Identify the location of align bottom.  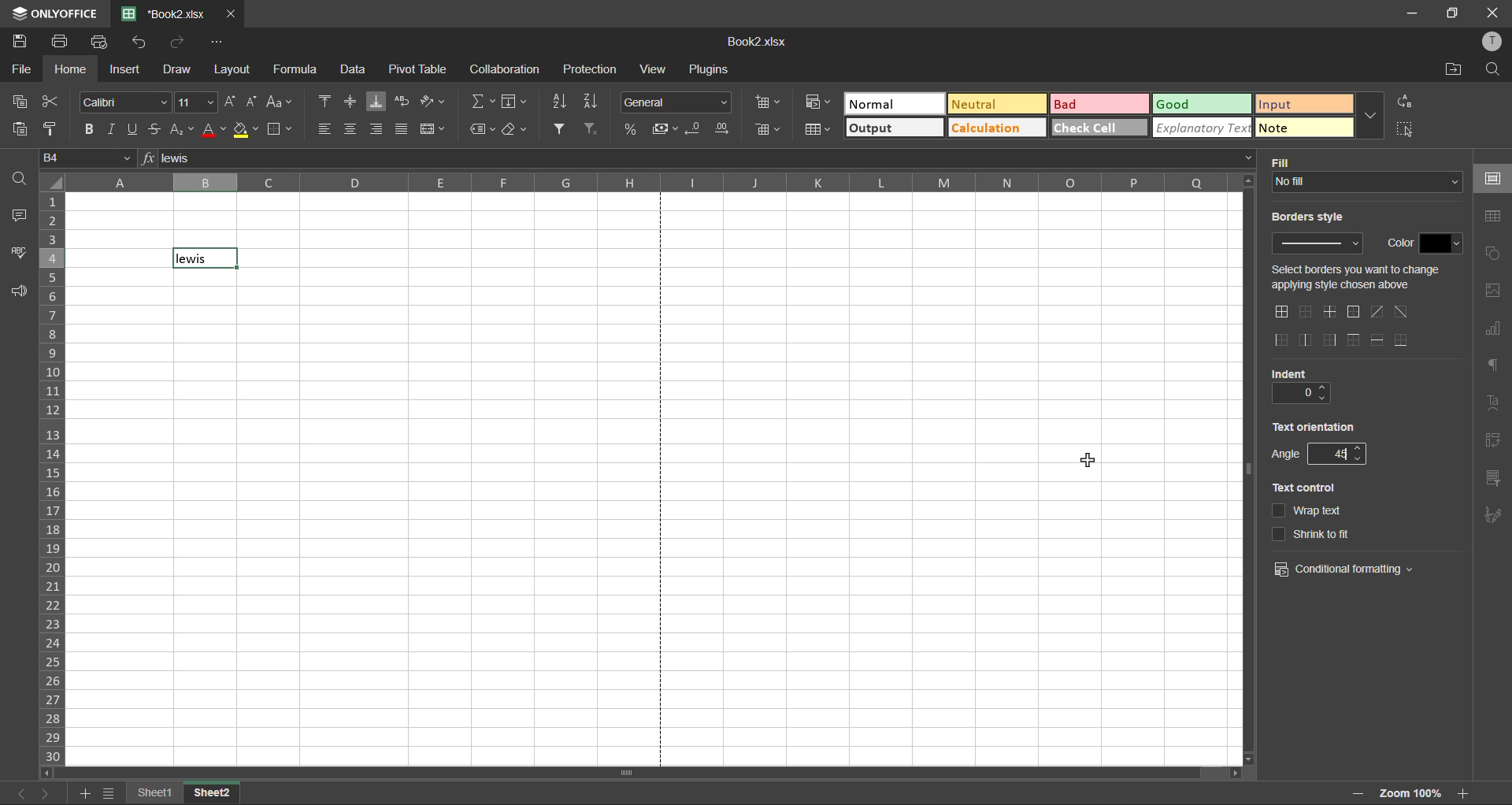
(375, 102).